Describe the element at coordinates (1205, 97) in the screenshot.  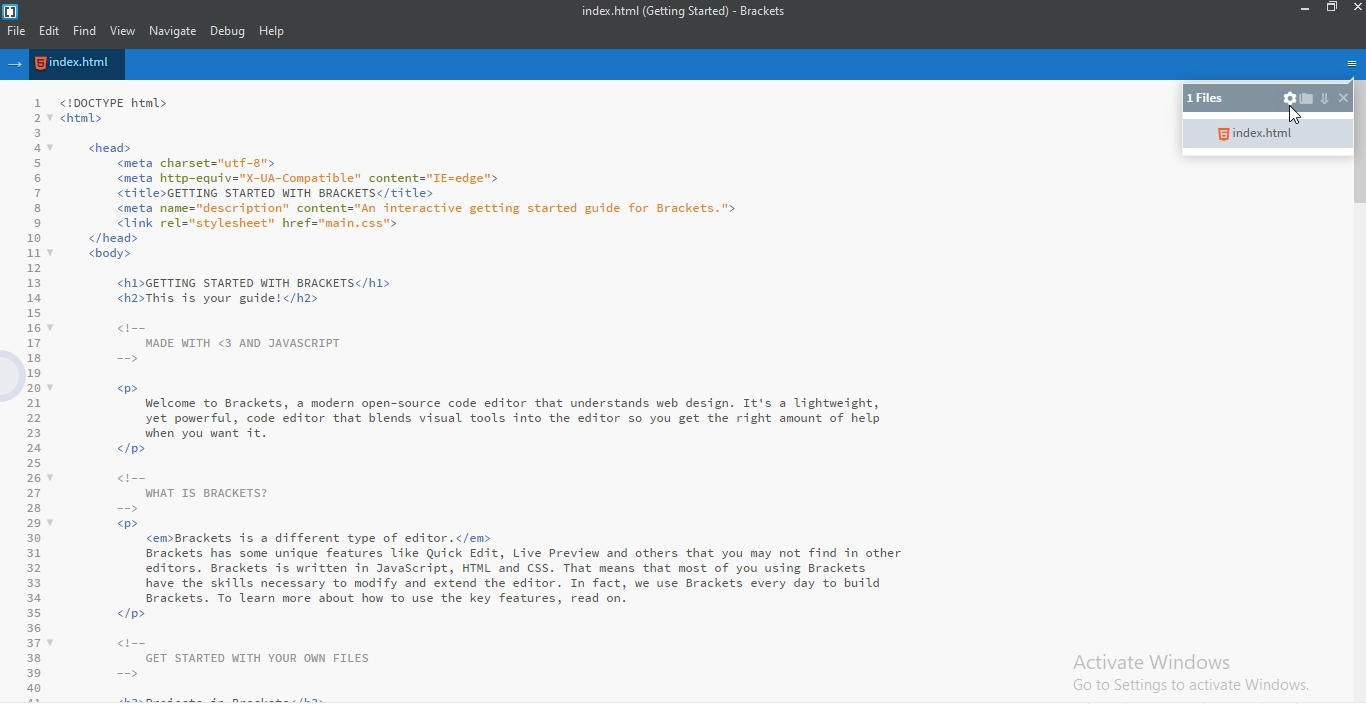
I see `1 files` at that location.